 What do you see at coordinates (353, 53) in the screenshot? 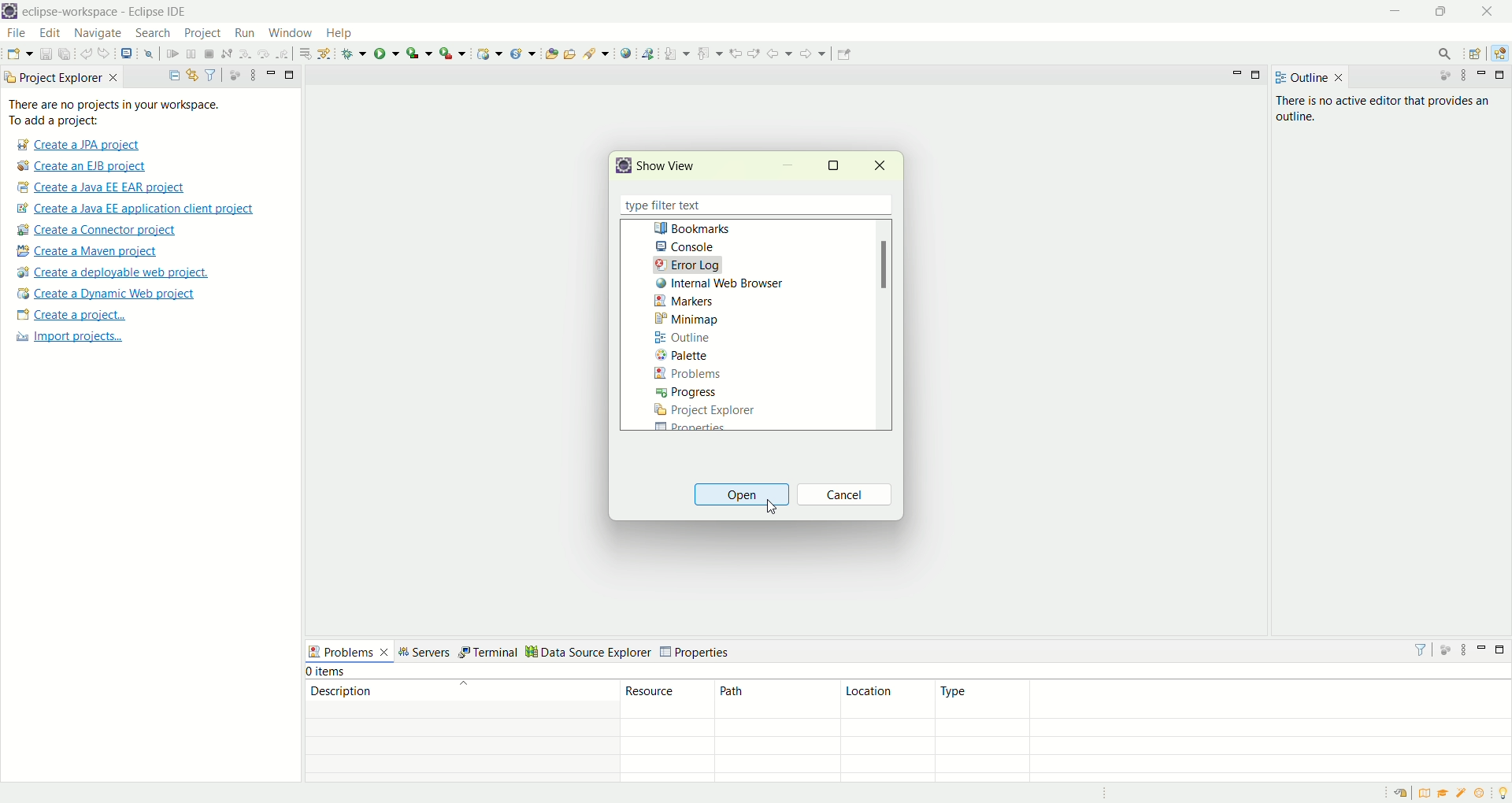
I see `debug` at bounding box center [353, 53].